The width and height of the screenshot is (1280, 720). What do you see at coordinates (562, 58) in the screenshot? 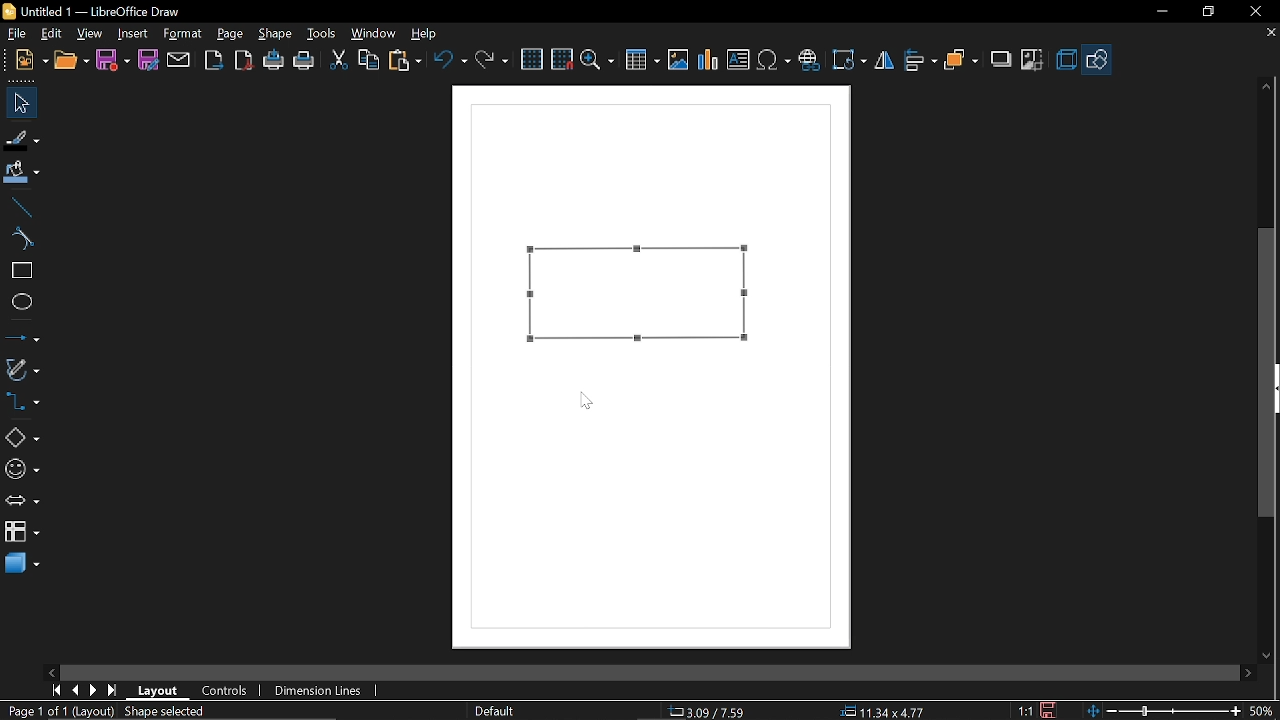
I see `snap to grid` at bounding box center [562, 58].